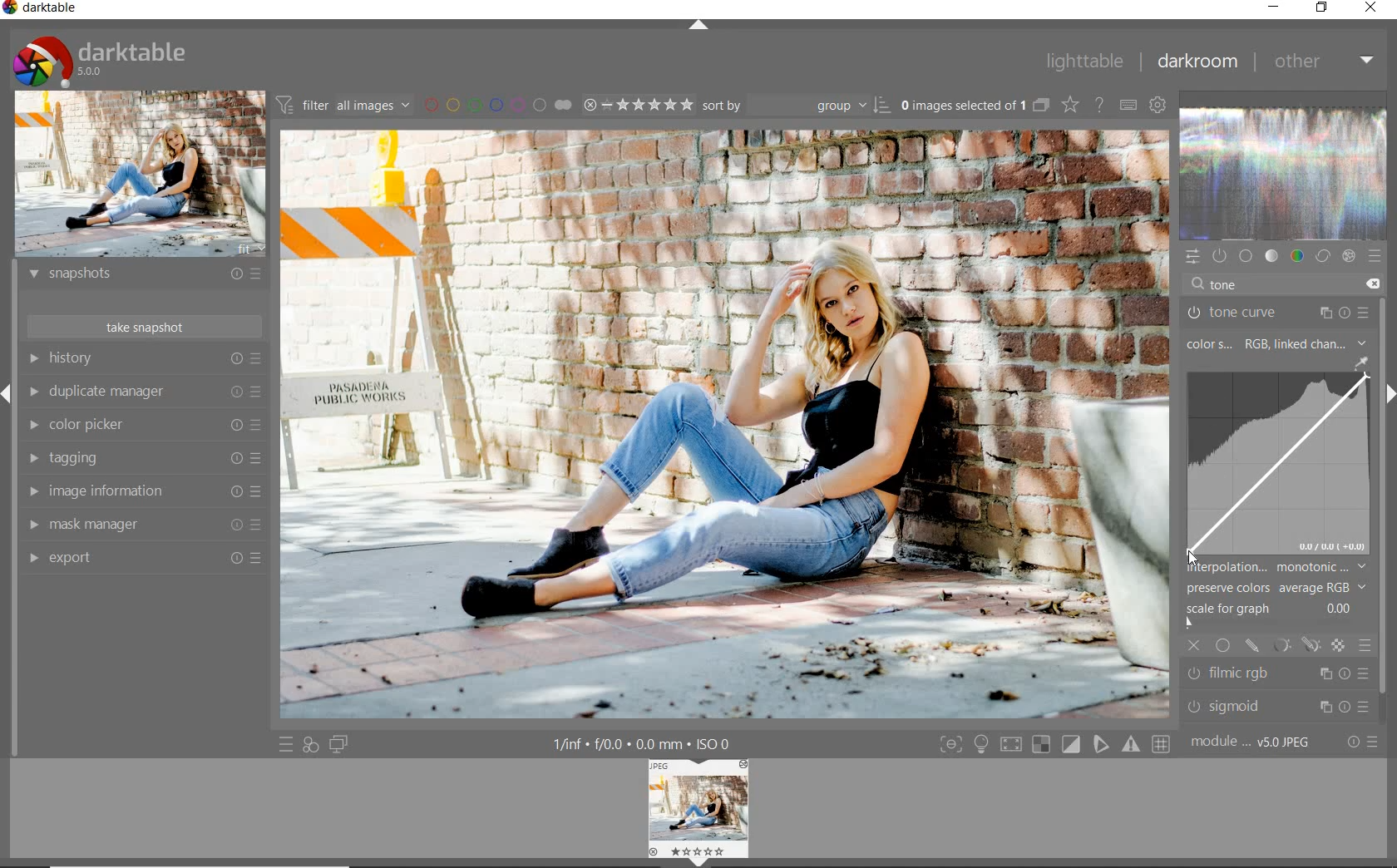  I want to click on quick access panel, so click(1192, 255).